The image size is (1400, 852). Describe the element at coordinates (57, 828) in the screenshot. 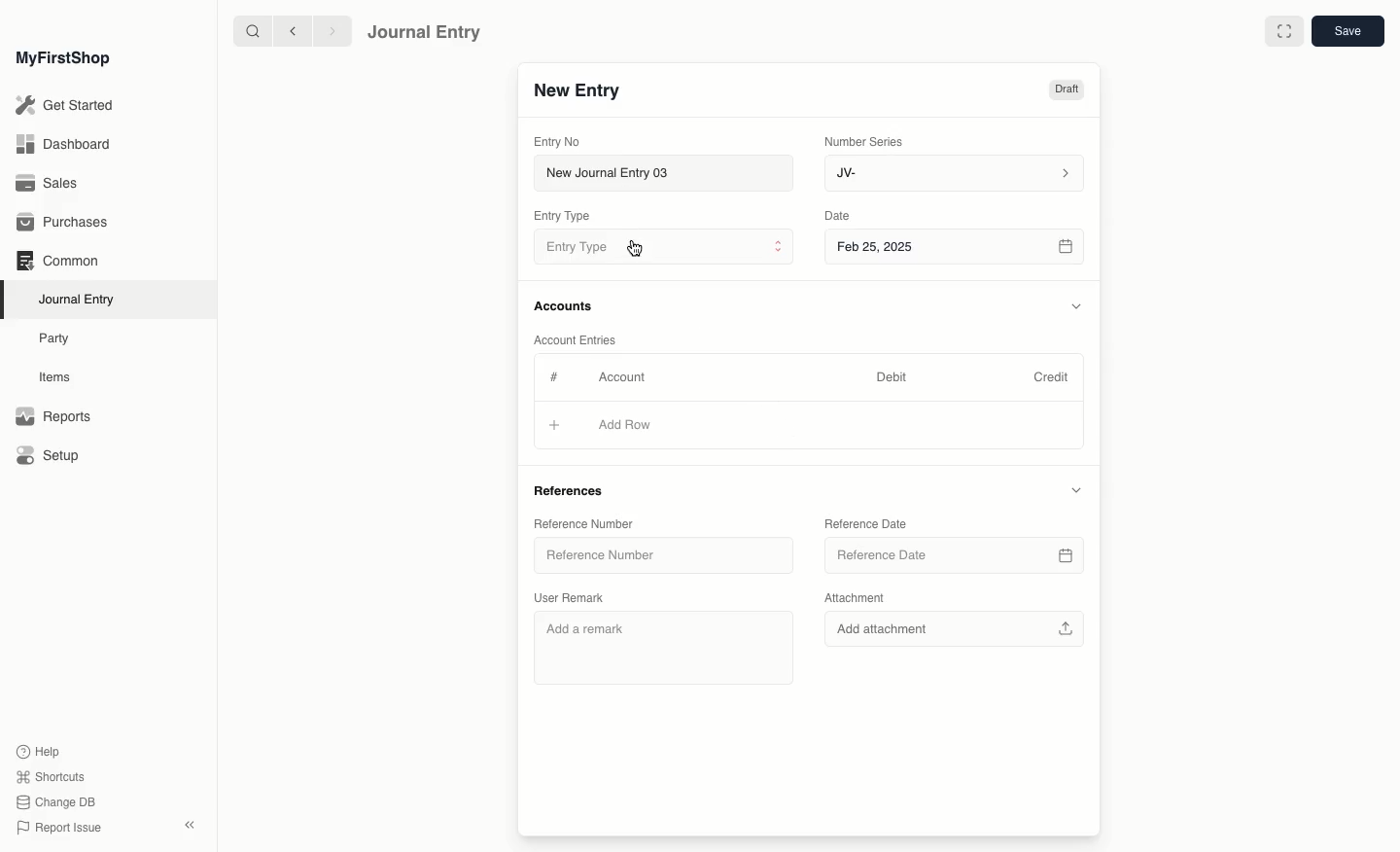

I see `Report Issue` at that location.